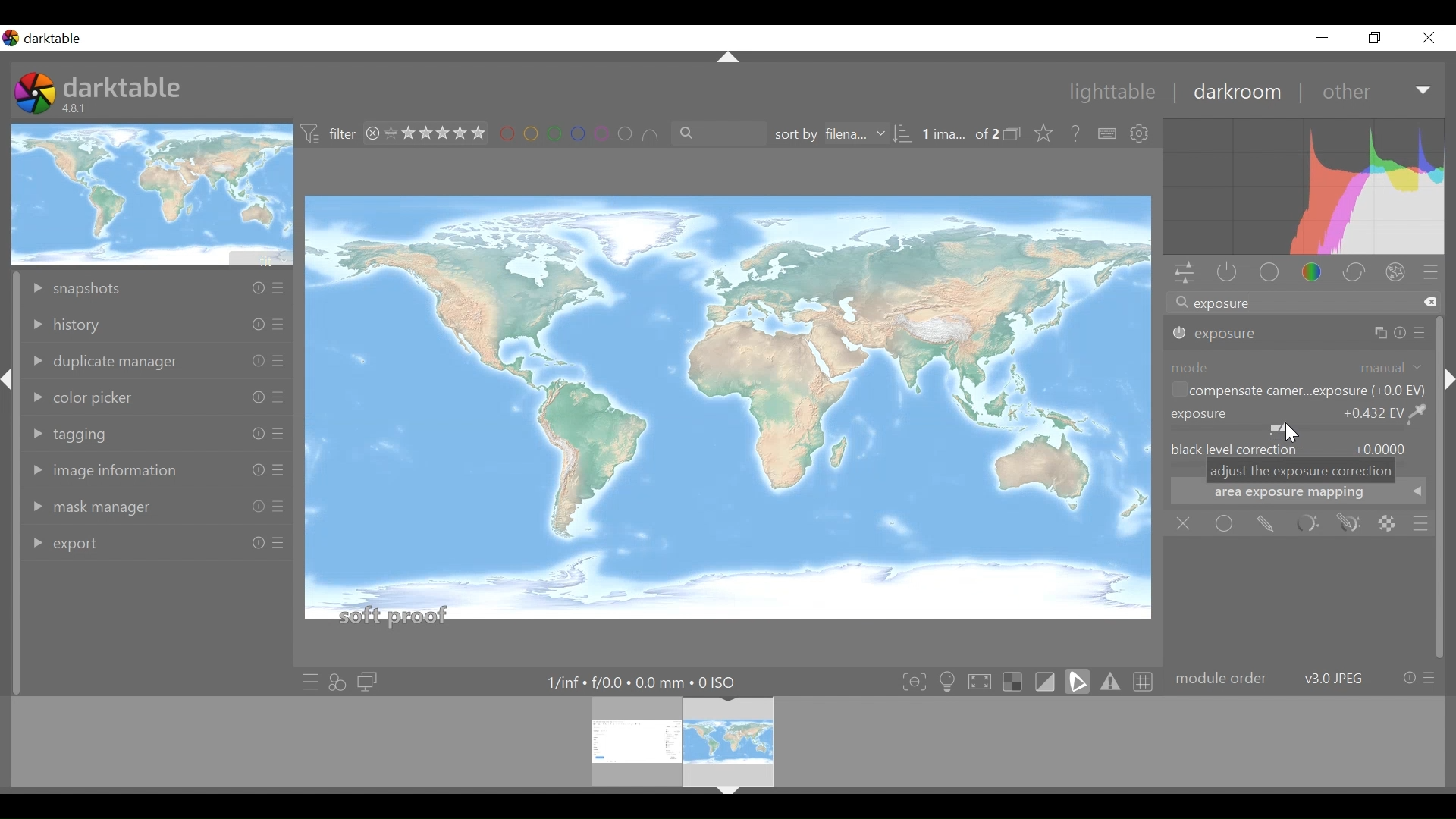 The image size is (1456, 819). I want to click on , so click(254, 360).